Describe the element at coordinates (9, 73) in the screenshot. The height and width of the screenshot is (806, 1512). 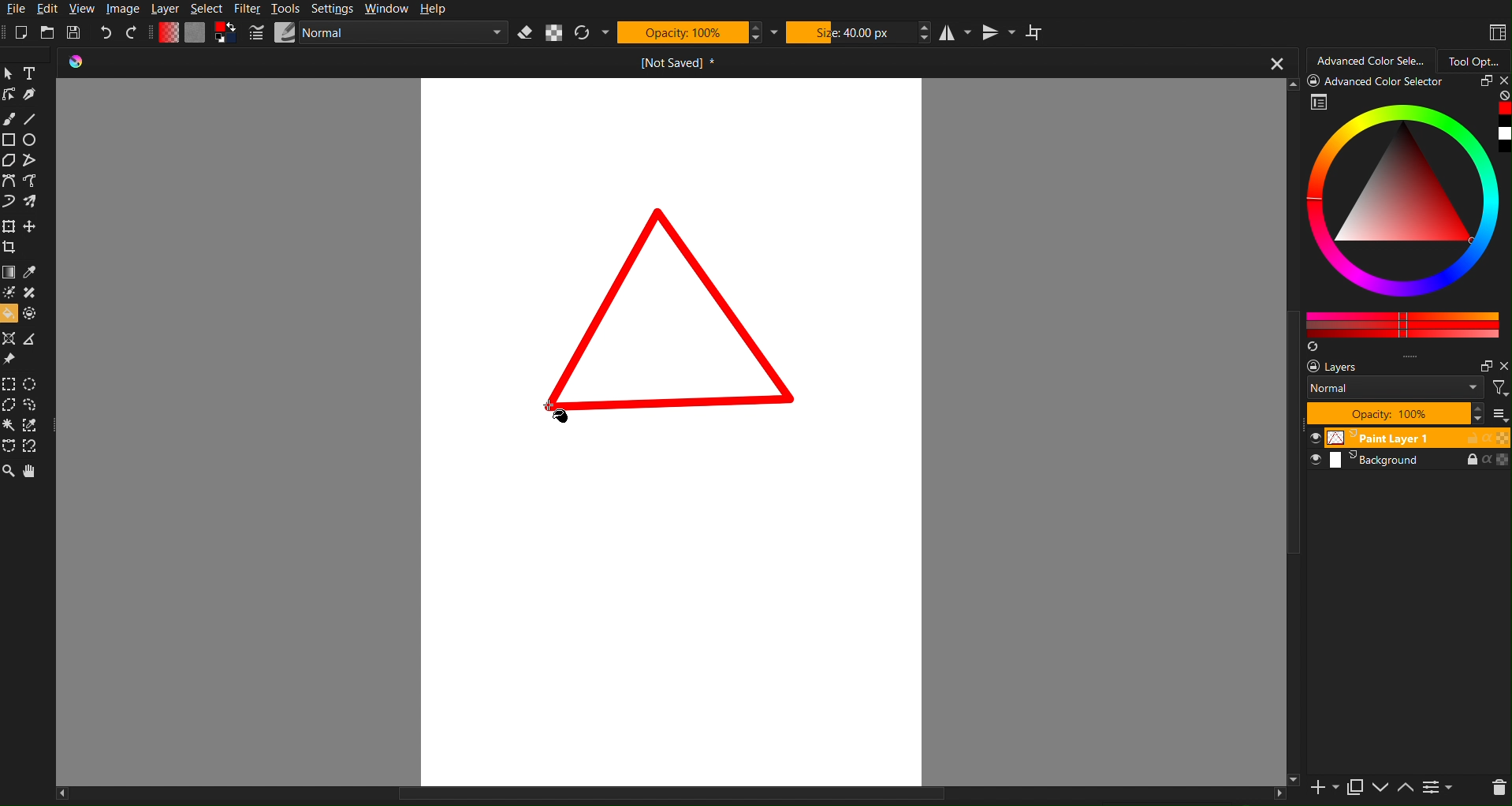
I see `Pointer` at that location.